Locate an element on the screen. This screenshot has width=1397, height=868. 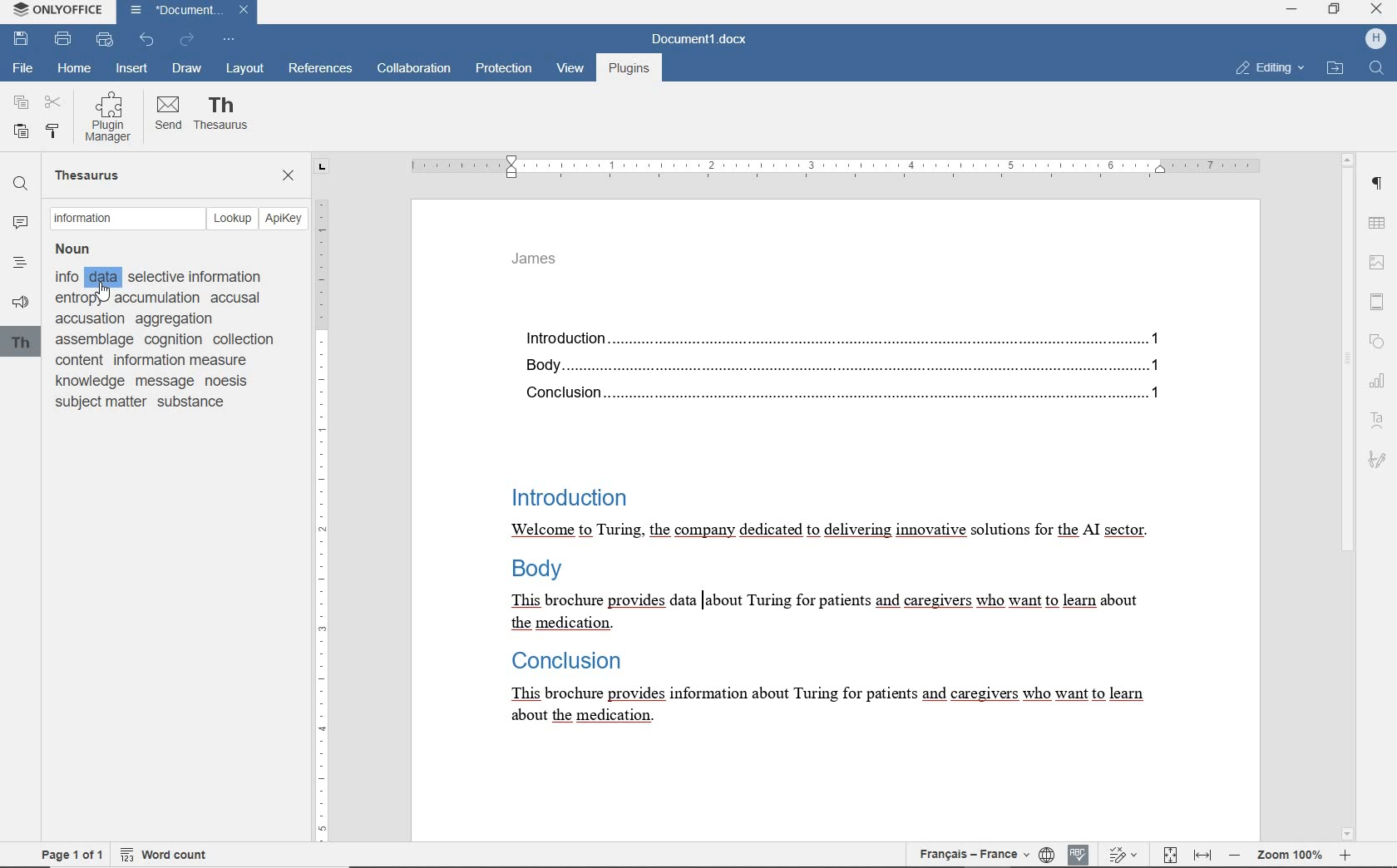
CUT is located at coordinates (54, 103).